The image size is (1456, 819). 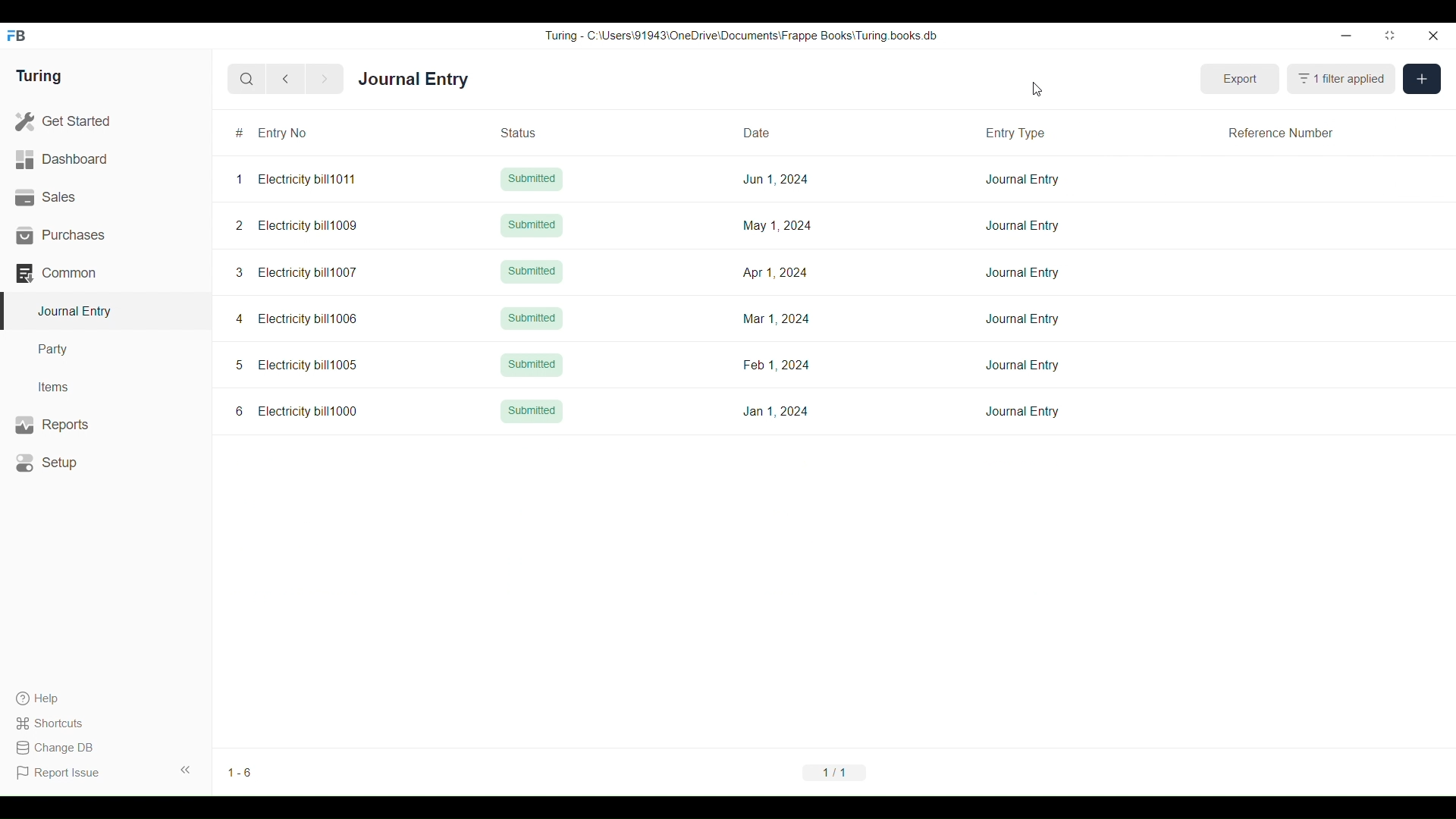 I want to click on Journal Entry, so click(x=1022, y=179).